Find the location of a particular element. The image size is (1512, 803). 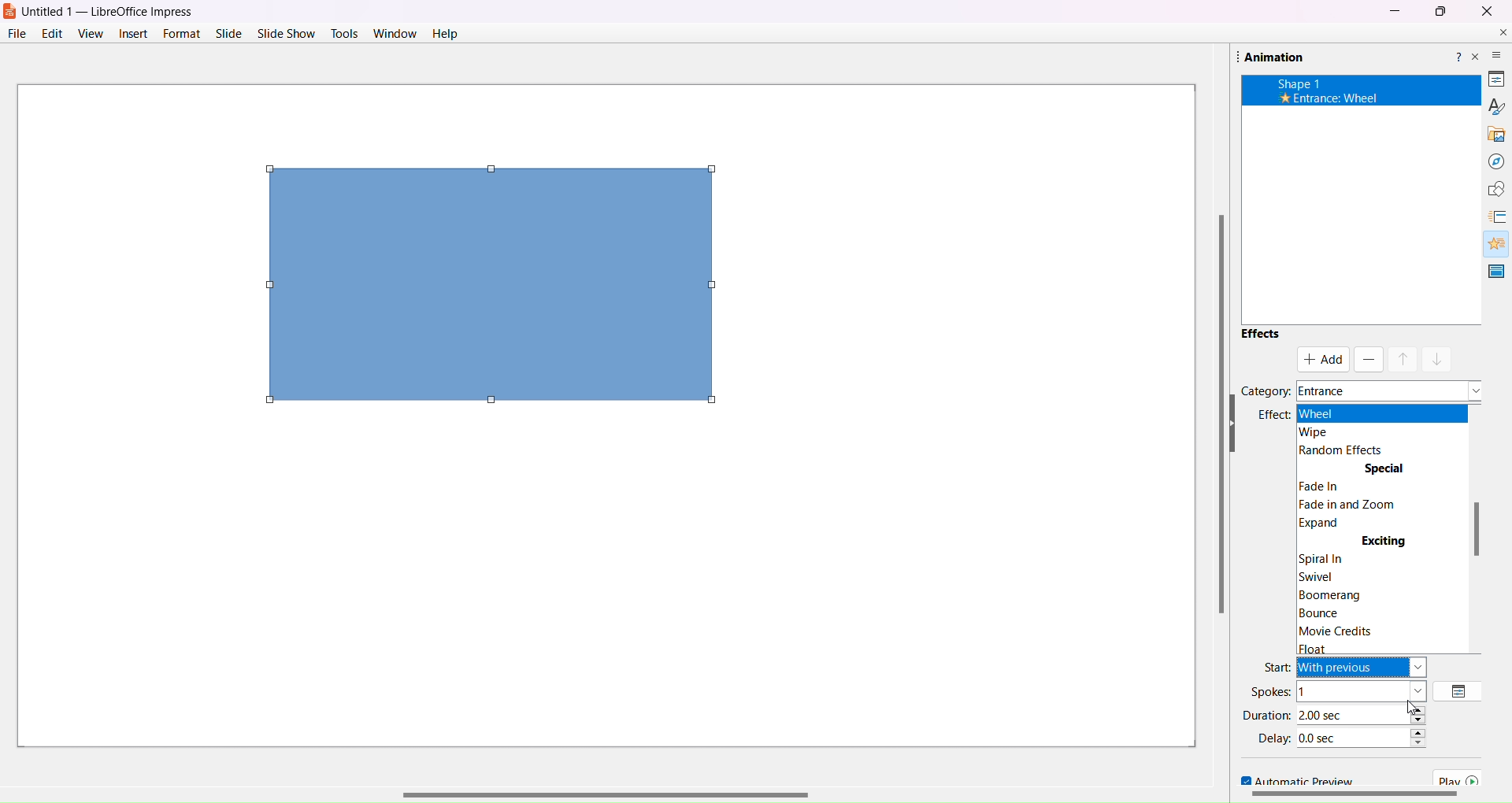

Automatic Preview is located at coordinates (1291, 780).